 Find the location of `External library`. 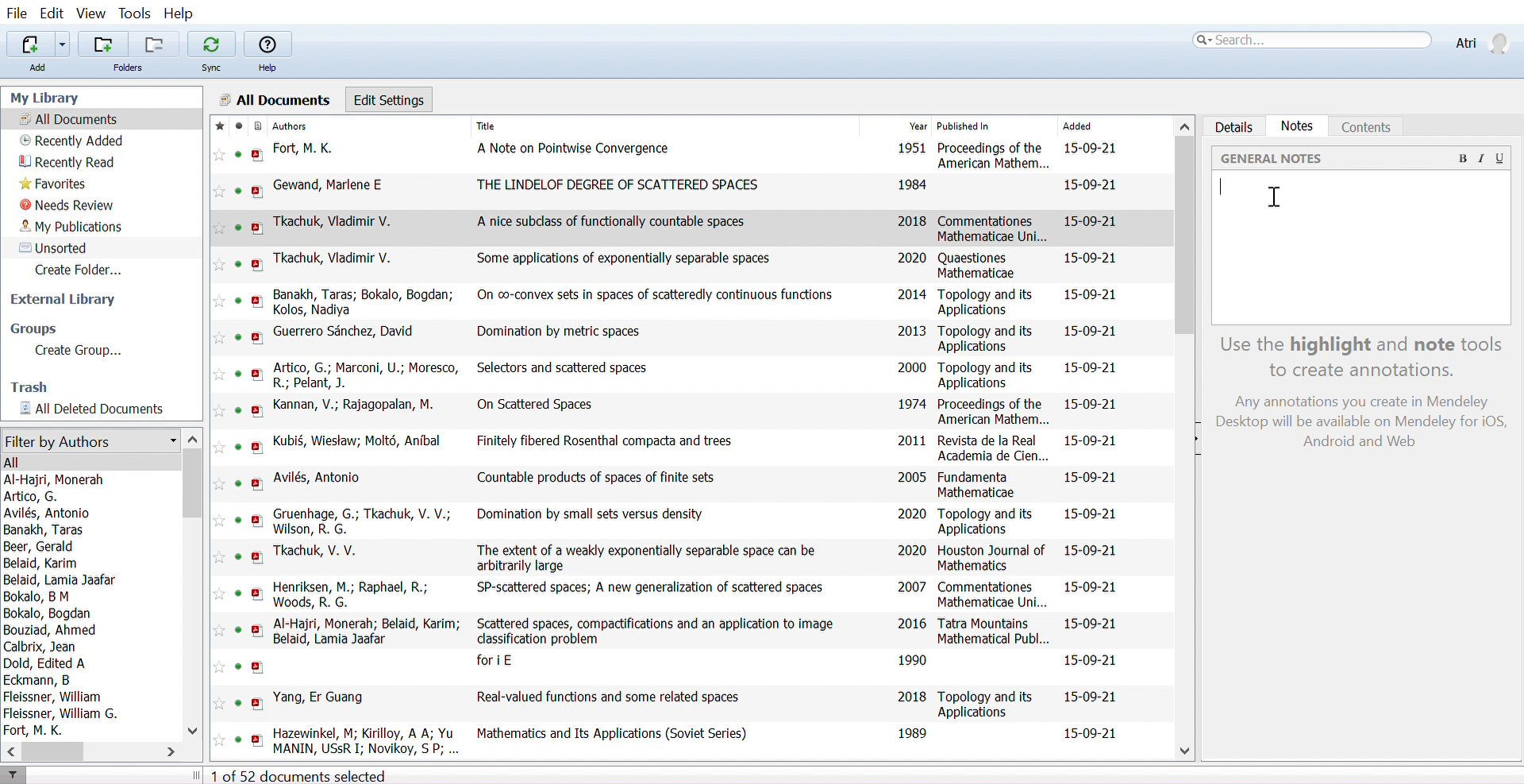

External library is located at coordinates (63, 300).